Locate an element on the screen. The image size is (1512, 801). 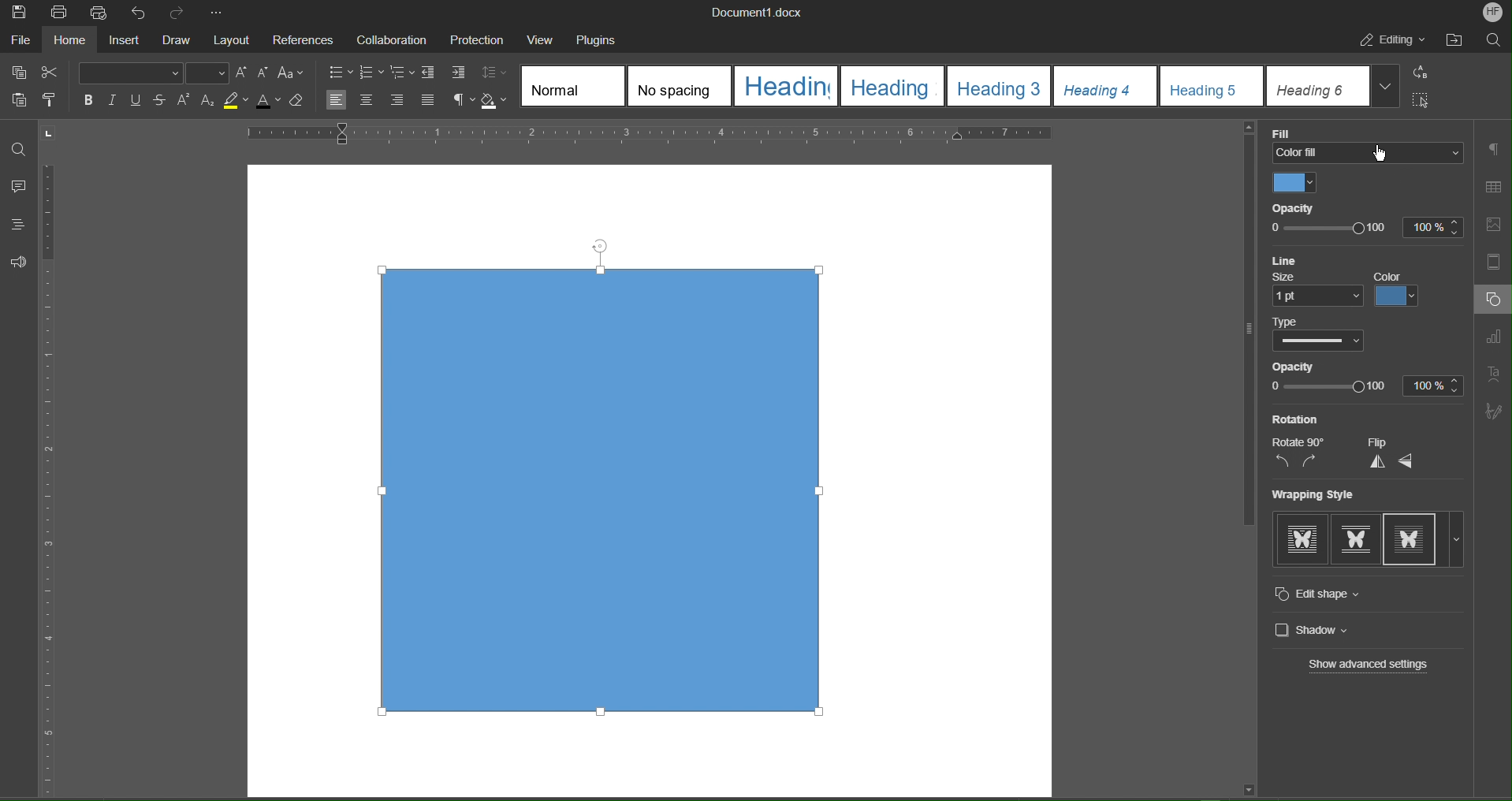
Heading 6 is located at coordinates (1318, 87).